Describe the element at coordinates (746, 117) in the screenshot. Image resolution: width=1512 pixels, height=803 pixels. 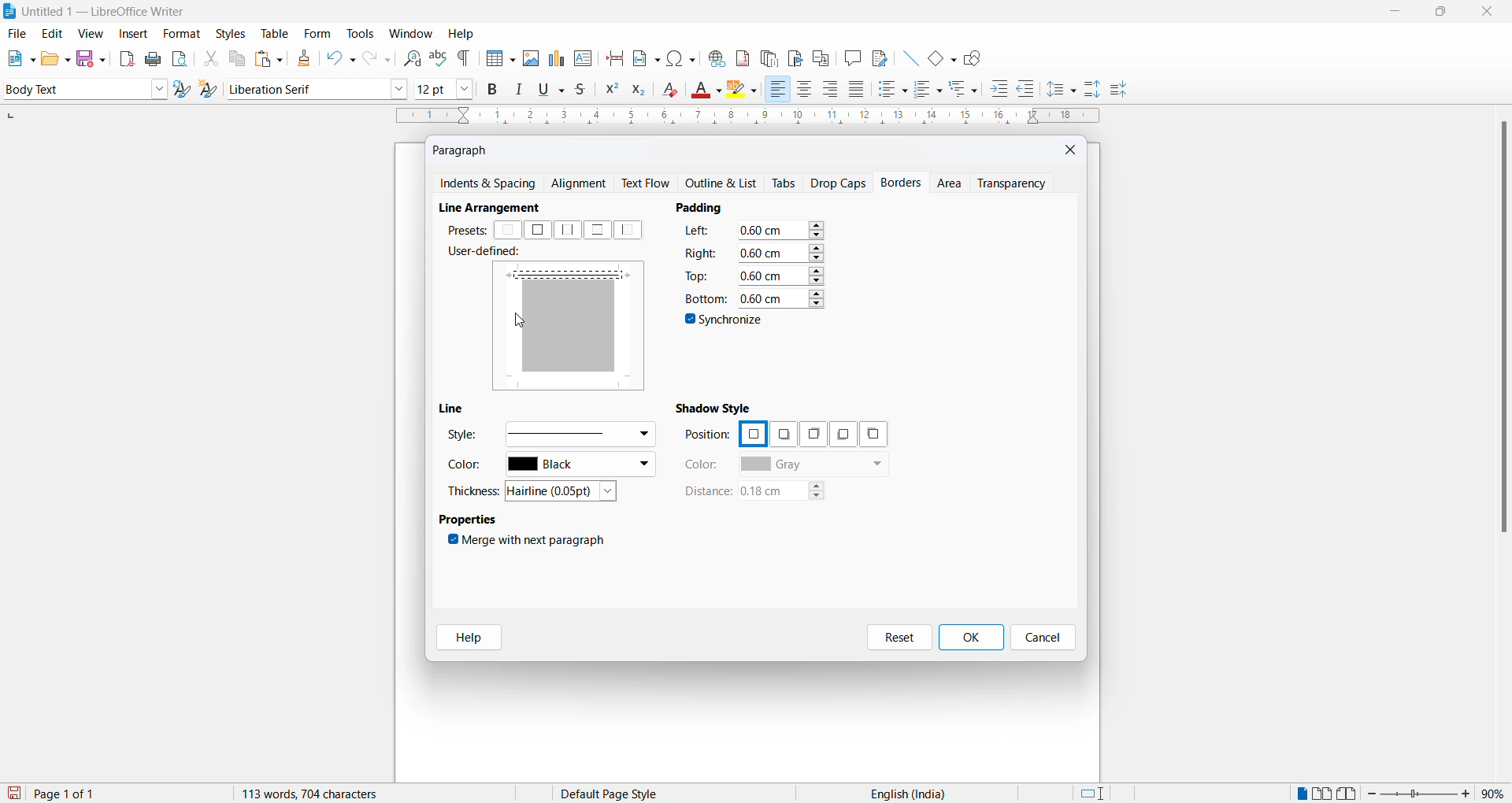
I see `scaling` at that location.